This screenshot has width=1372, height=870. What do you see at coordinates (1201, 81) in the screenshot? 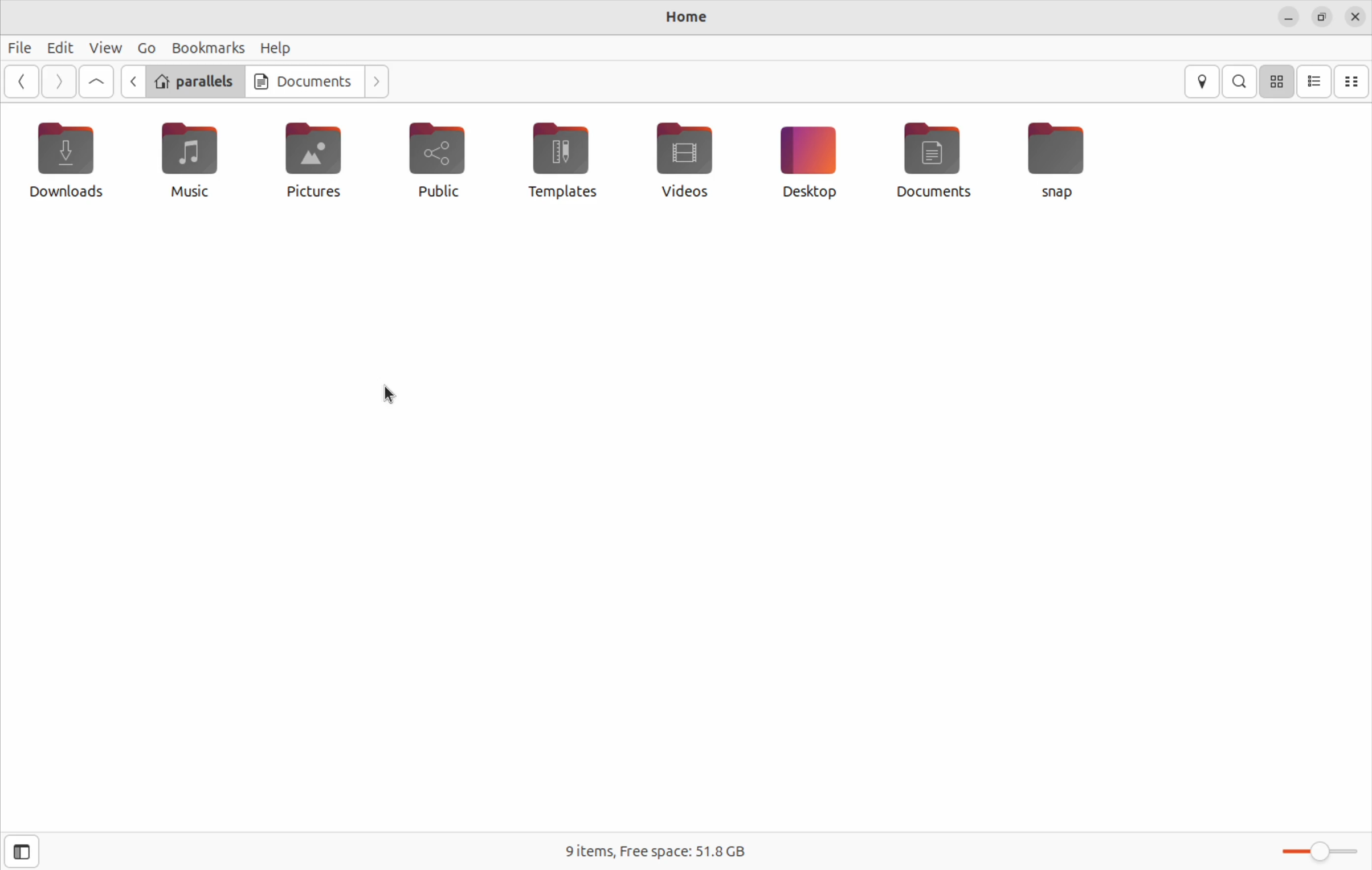
I see `locations` at bounding box center [1201, 81].